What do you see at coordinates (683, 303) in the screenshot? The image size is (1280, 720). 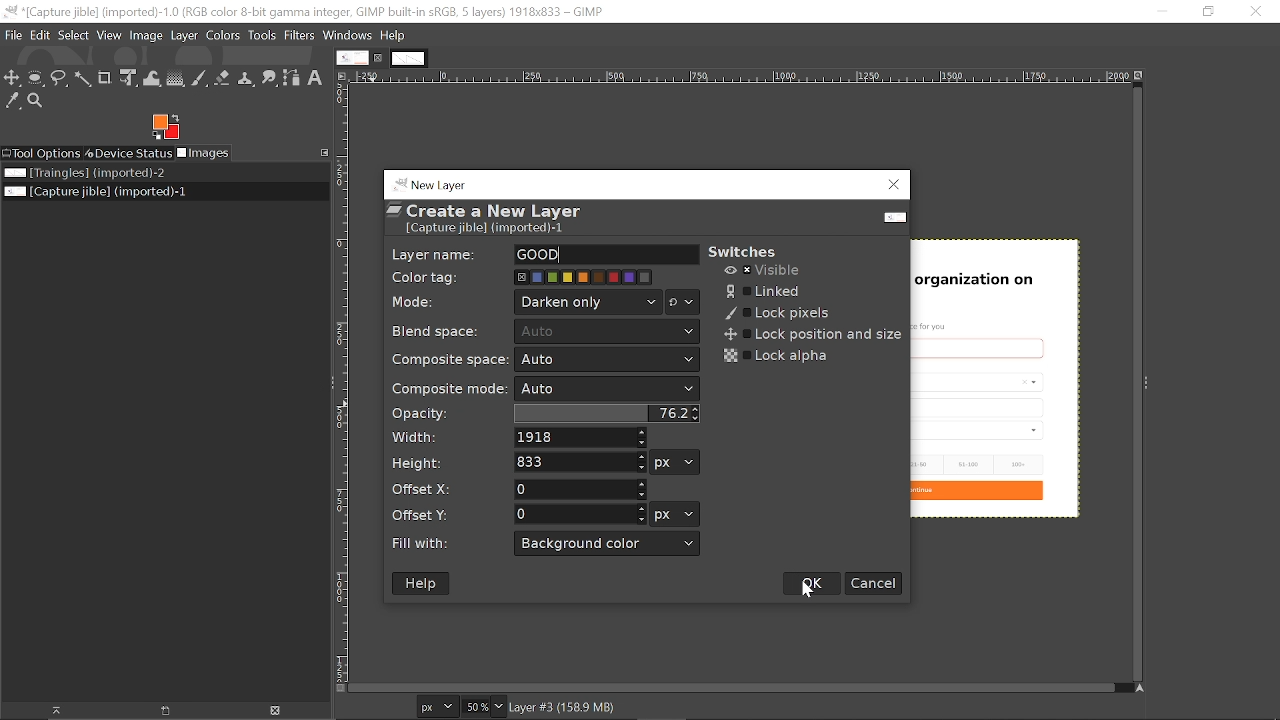 I see `Mode options` at bounding box center [683, 303].